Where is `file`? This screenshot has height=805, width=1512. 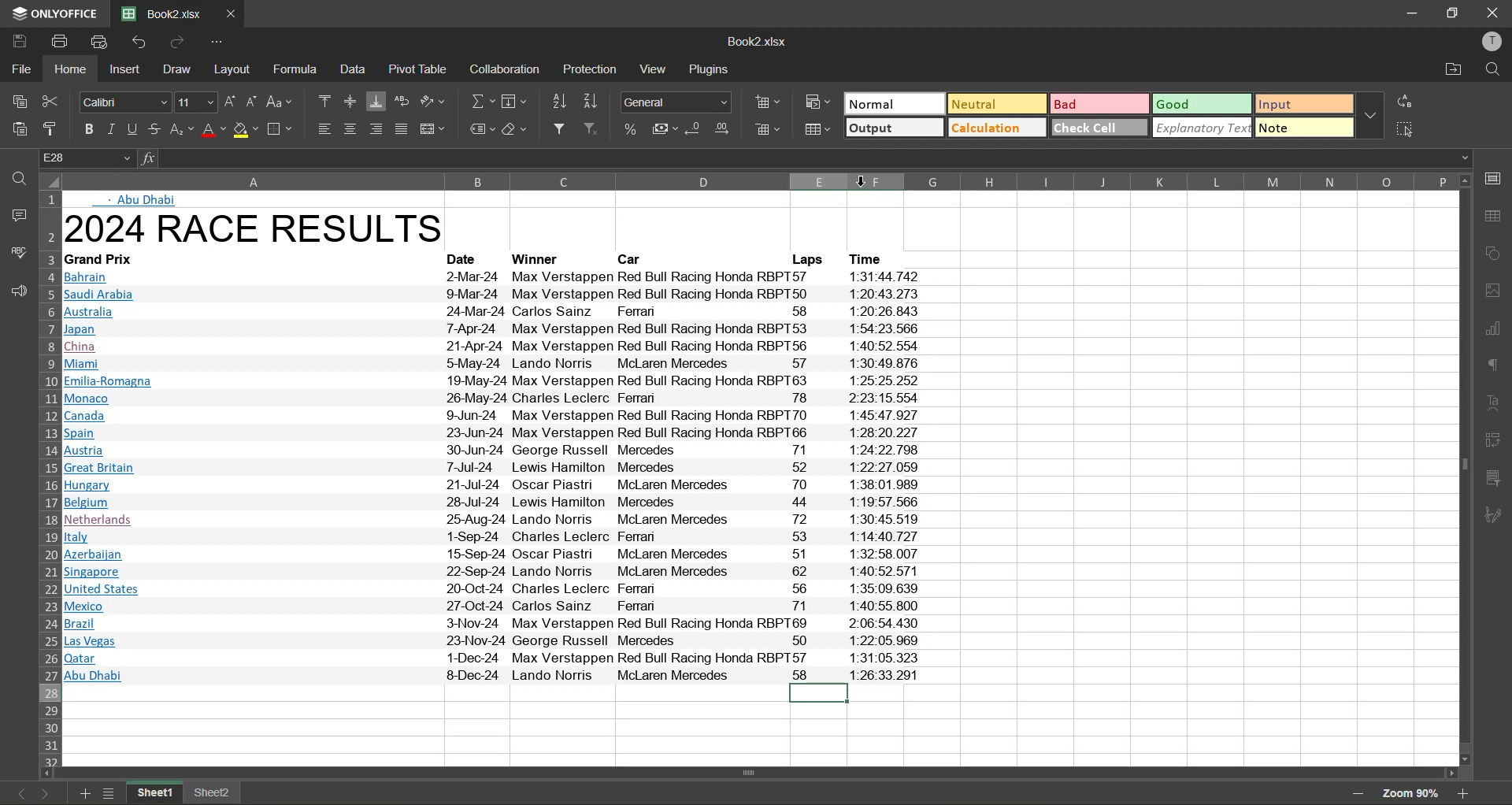
file is located at coordinates (18, 69).